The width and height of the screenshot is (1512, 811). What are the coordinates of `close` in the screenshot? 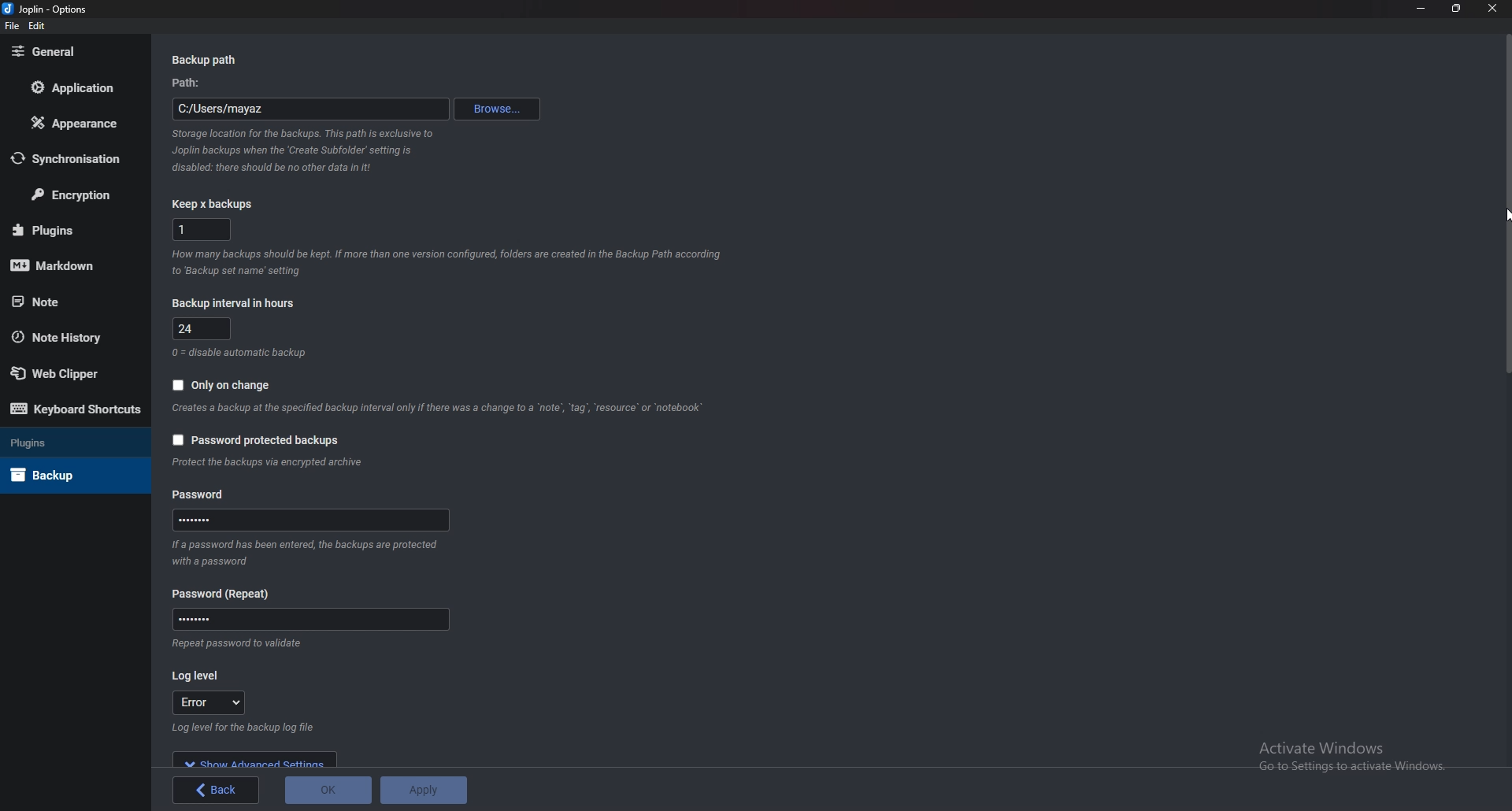 It's located at (1491, 9).